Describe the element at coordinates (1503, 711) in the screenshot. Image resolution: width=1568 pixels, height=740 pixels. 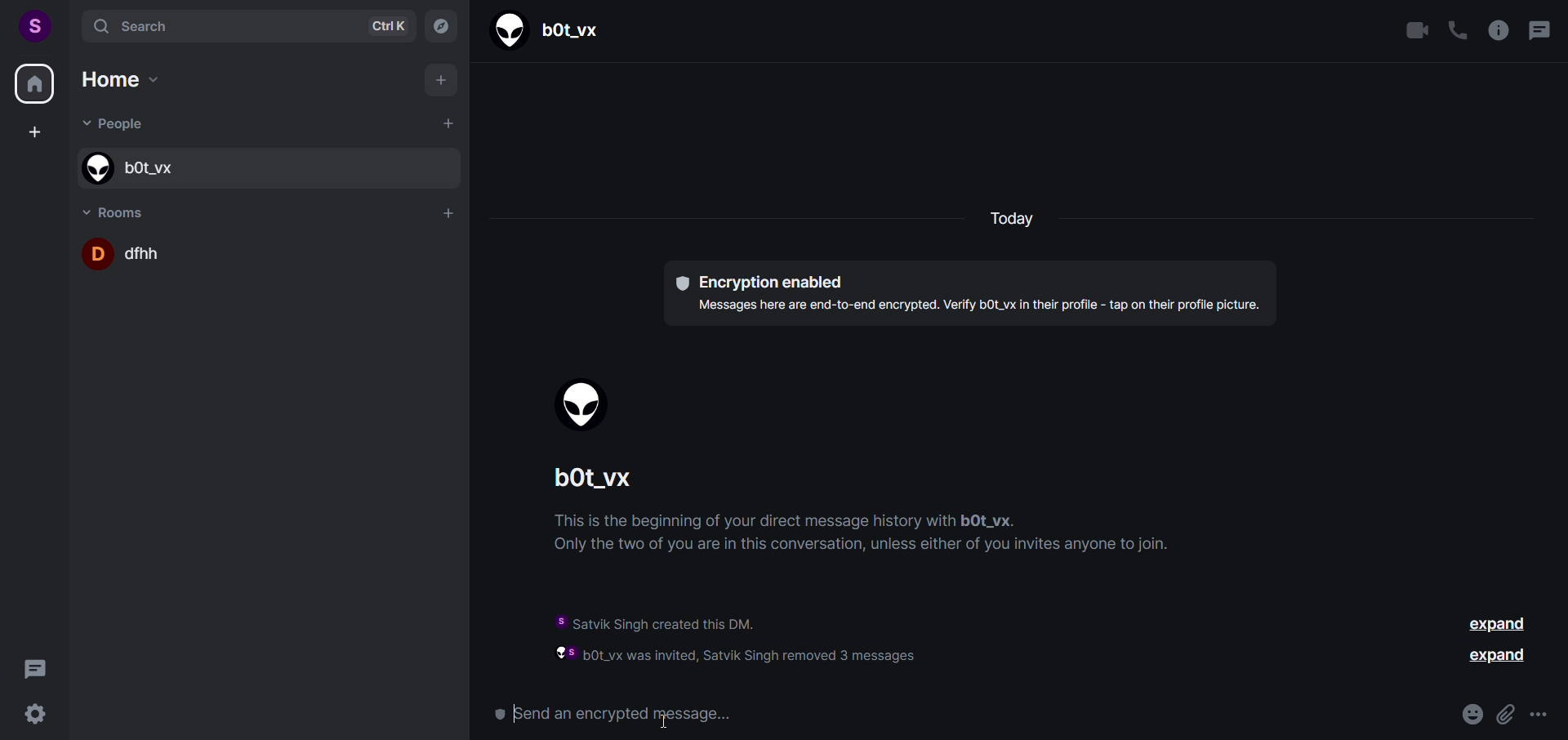
I see `attachment` at that location.